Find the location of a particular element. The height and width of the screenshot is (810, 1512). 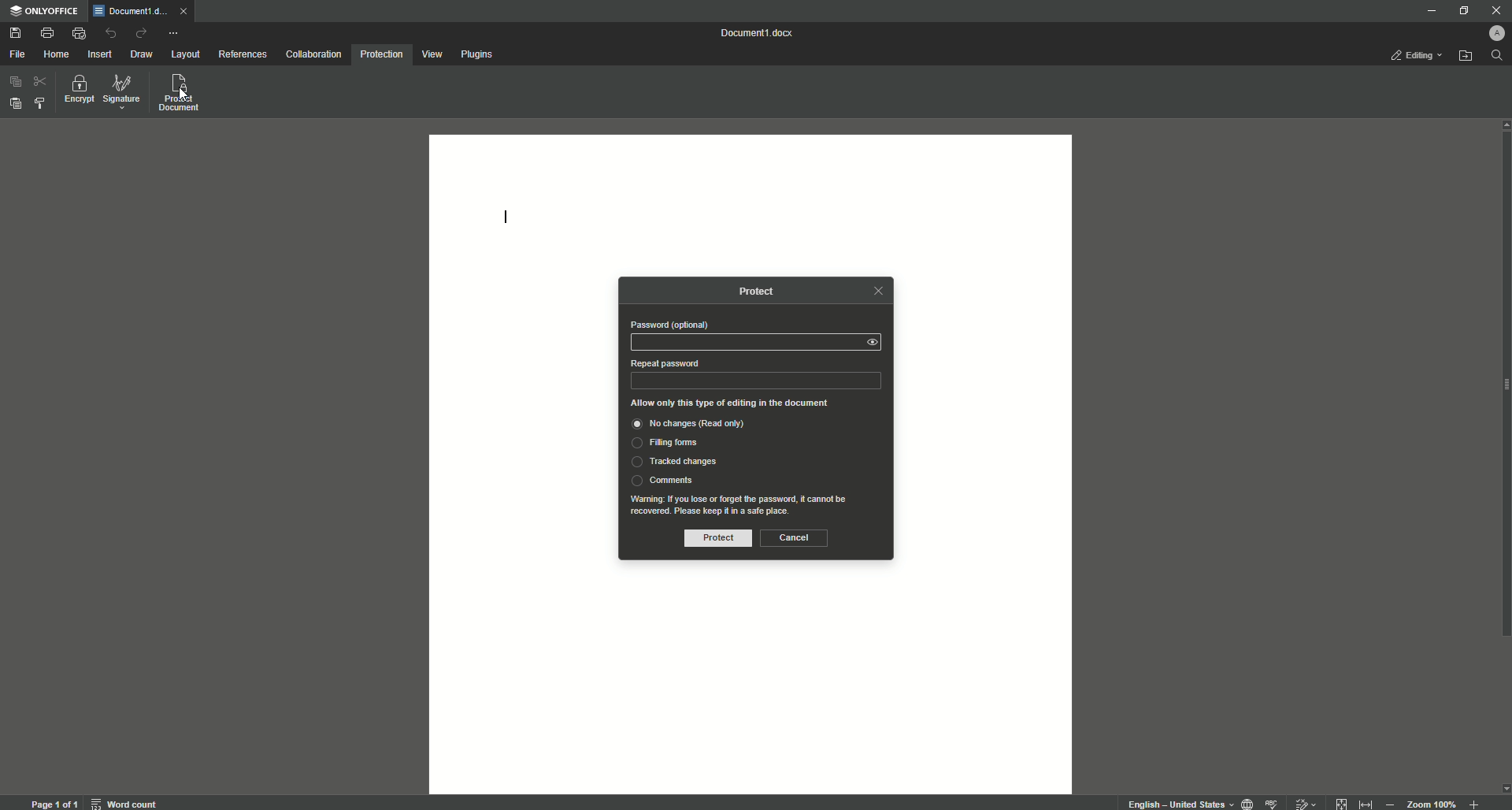

Open file location is located at coordinates (1466, 56).